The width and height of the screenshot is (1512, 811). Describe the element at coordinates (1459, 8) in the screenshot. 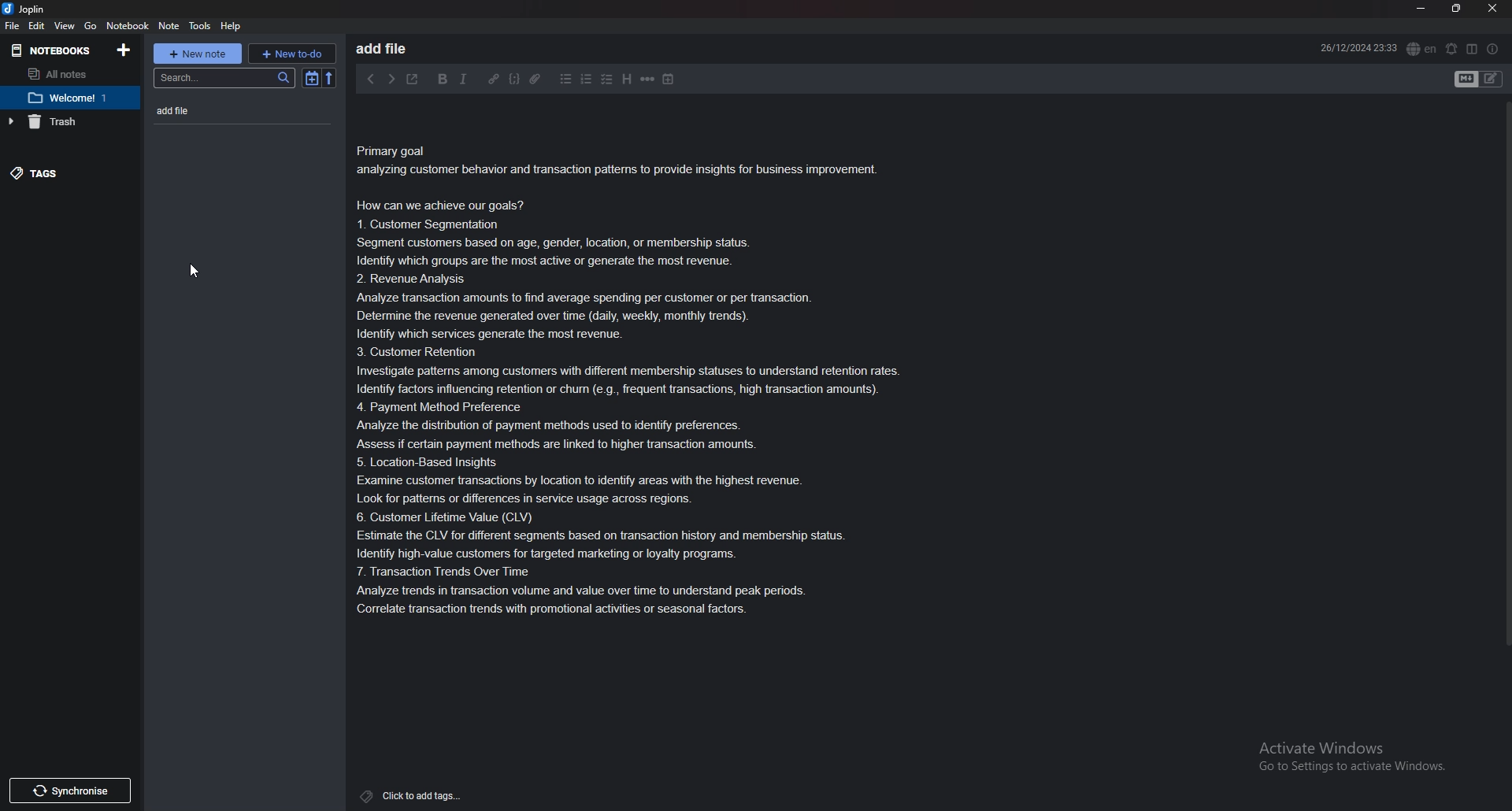

I see `Resize` at that location.